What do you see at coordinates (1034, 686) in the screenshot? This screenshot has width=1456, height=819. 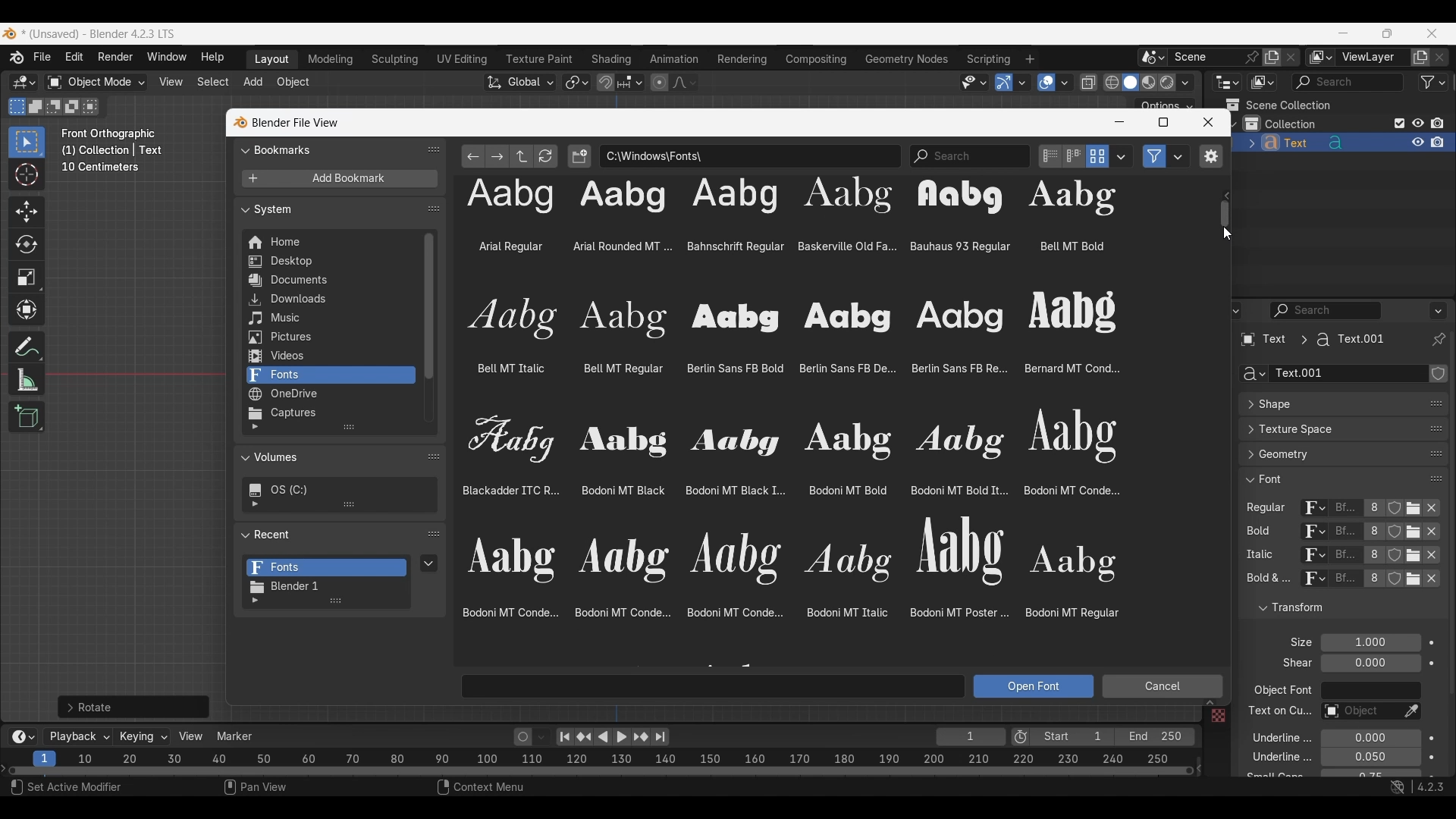 I see `Open selected font in Text object` at bounding box center [1034, 686].